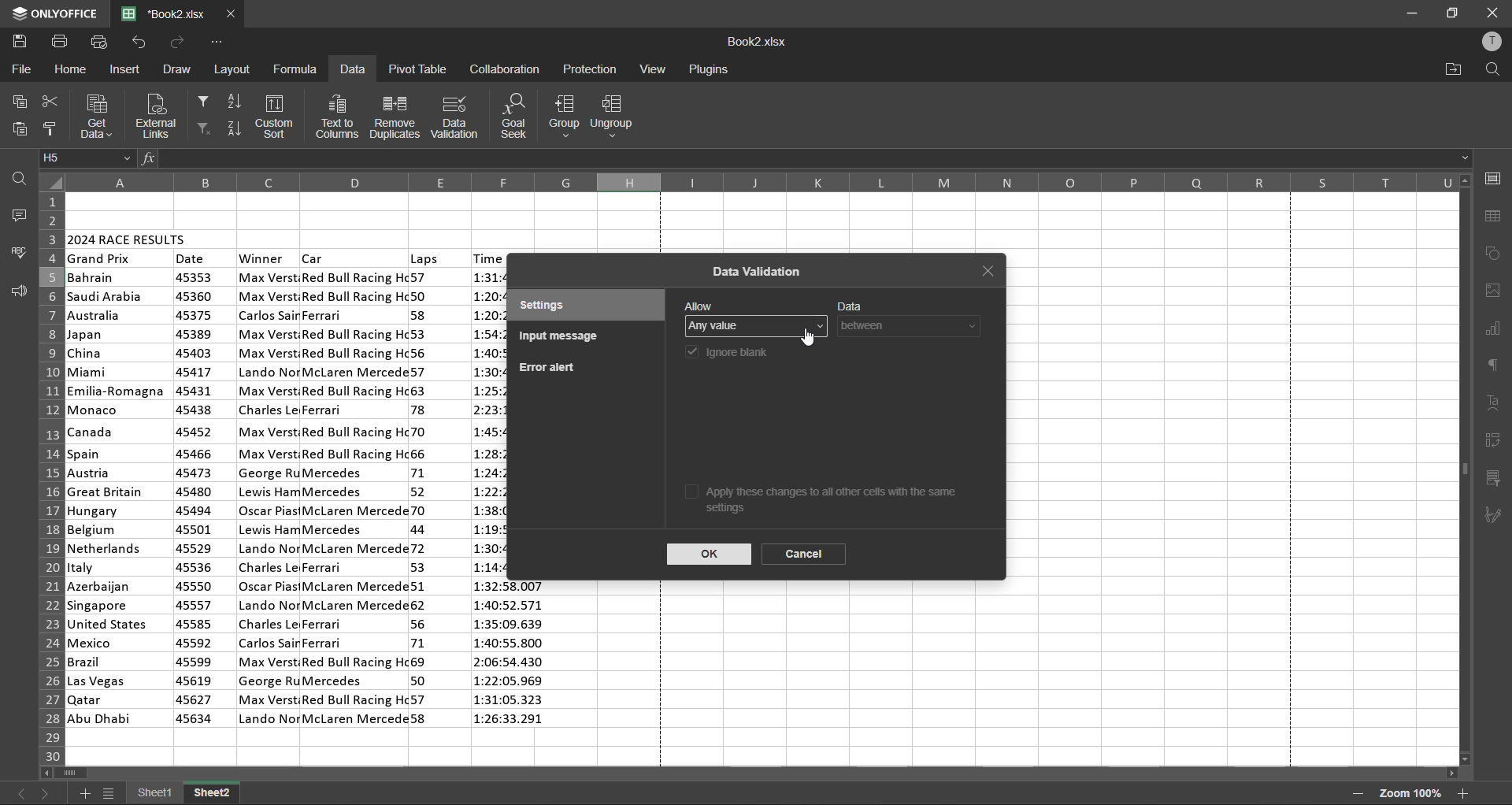 This screenshot has height=805, width=1512. What do you see at coordinates (101, 259) in the screenshot?
I see `grand prix` at bounding box center [101, 259].